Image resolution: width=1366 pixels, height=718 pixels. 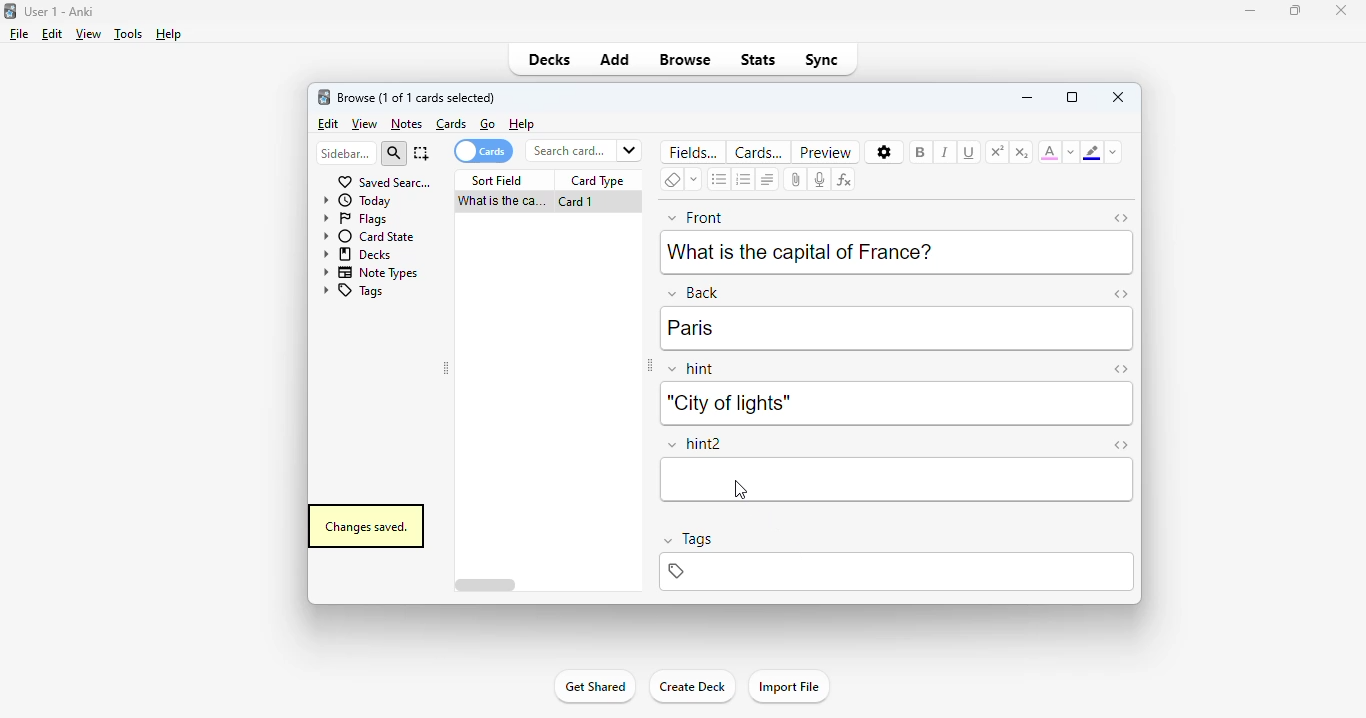 What do you see at coordinates (371, 272) in the screenshot?
I see `note types` at bounding box center [371, 272].